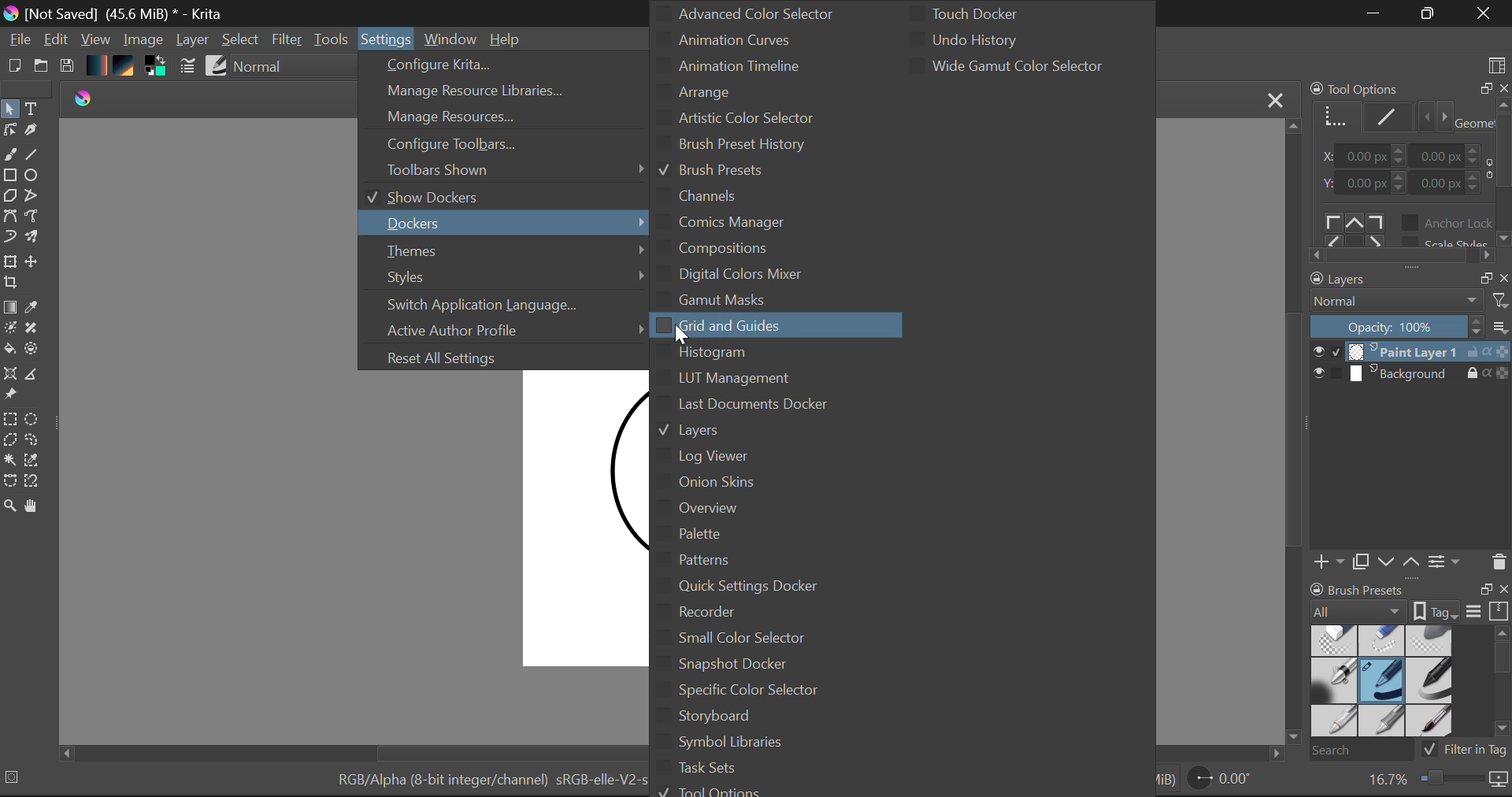 The width and height of the screenshot is (1512, 797). I want to click on Edit, so click(57, 40).